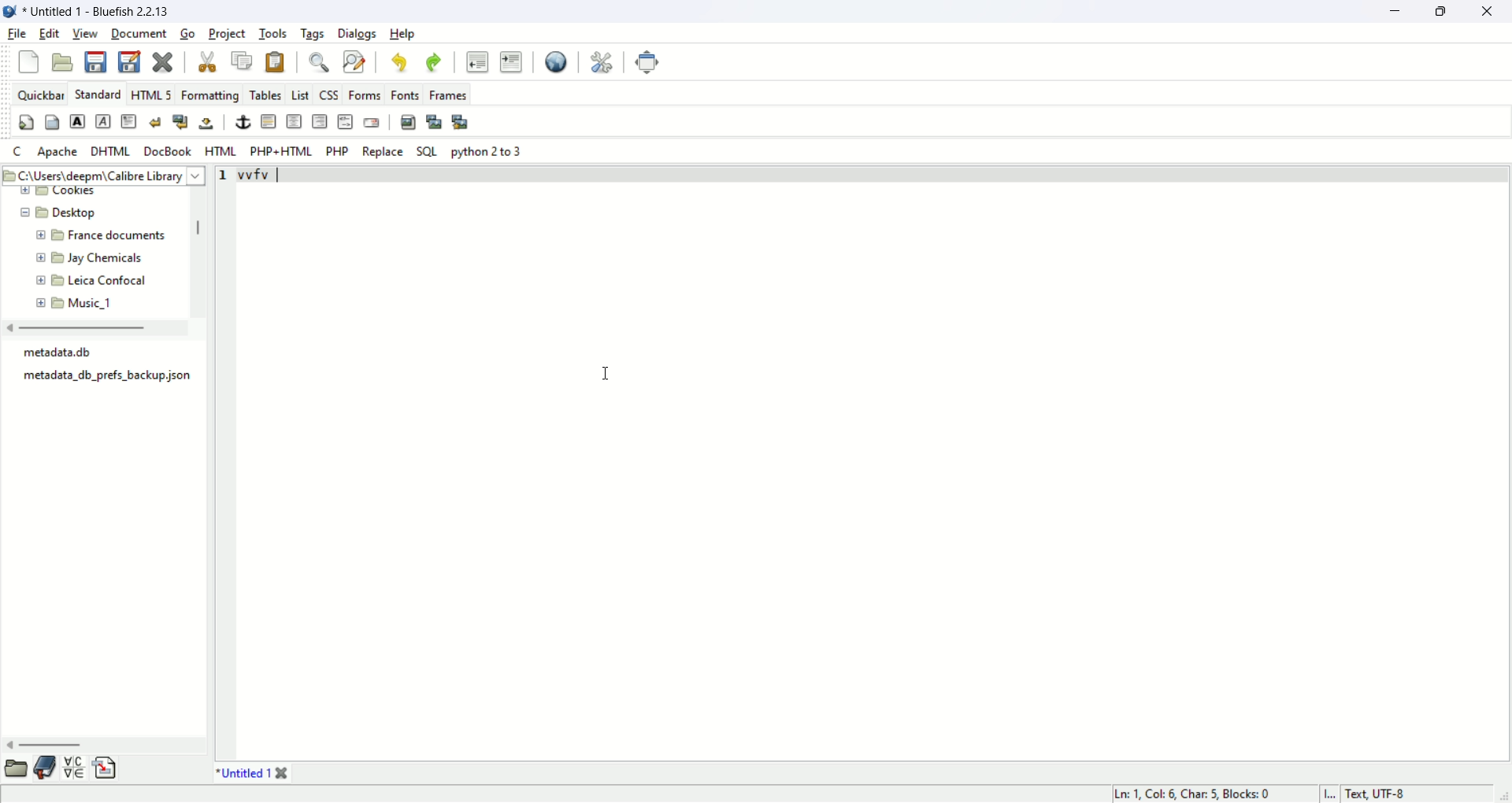 This screenshot has width=1512, height=803. What do you see at coordinates (45, 768) in the screenshot?
I see `bookmark` at bounding box center [45, 768].